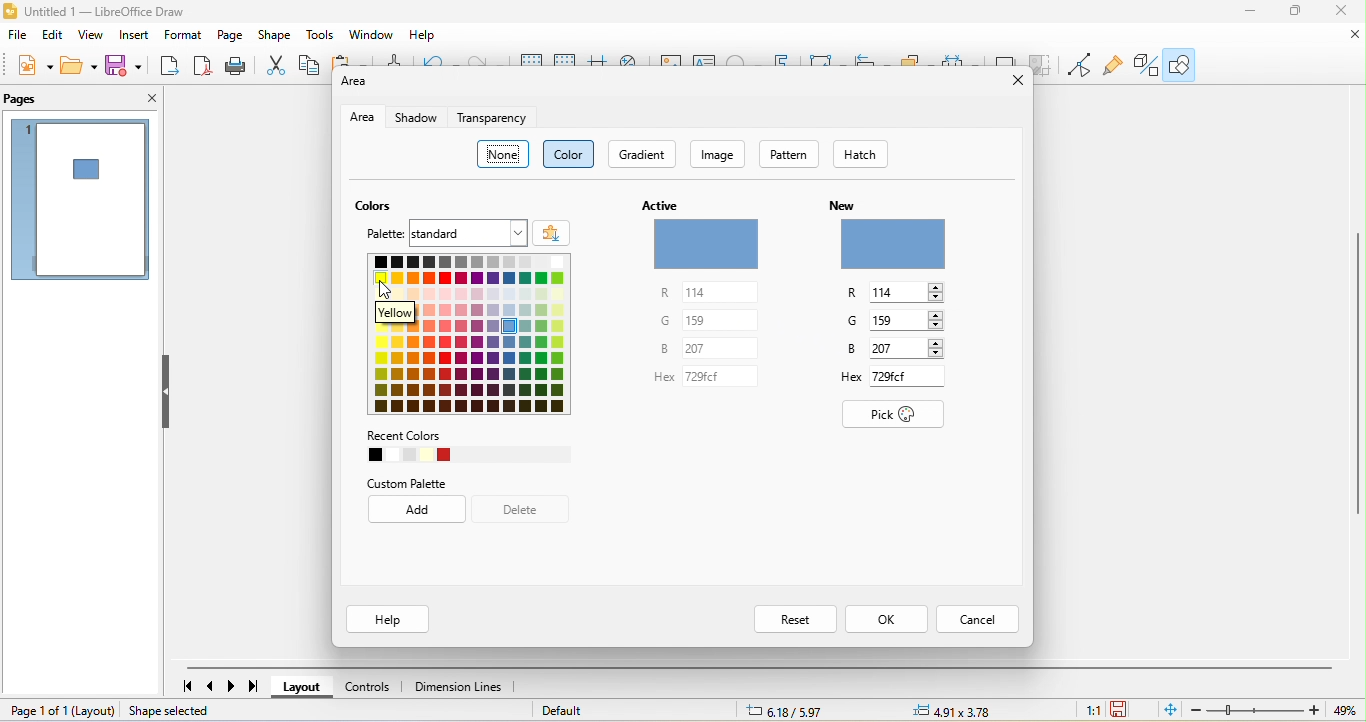 This screenshot has width=1366, height=722. Describe the element at coordinates (79, 203) in the screenshot. I see `page 1` at that location.